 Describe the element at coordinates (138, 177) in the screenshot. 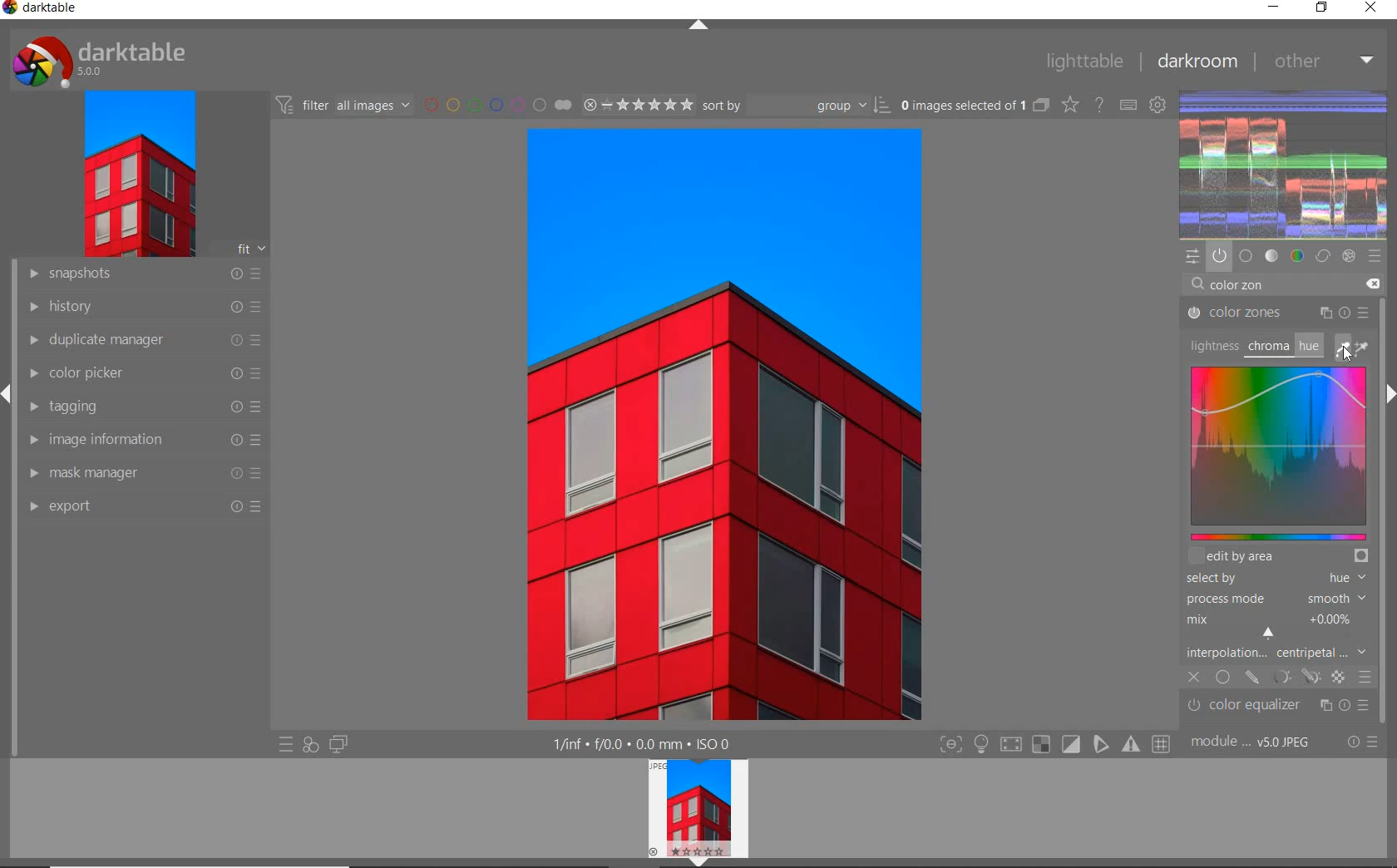

I see `image` at that location.